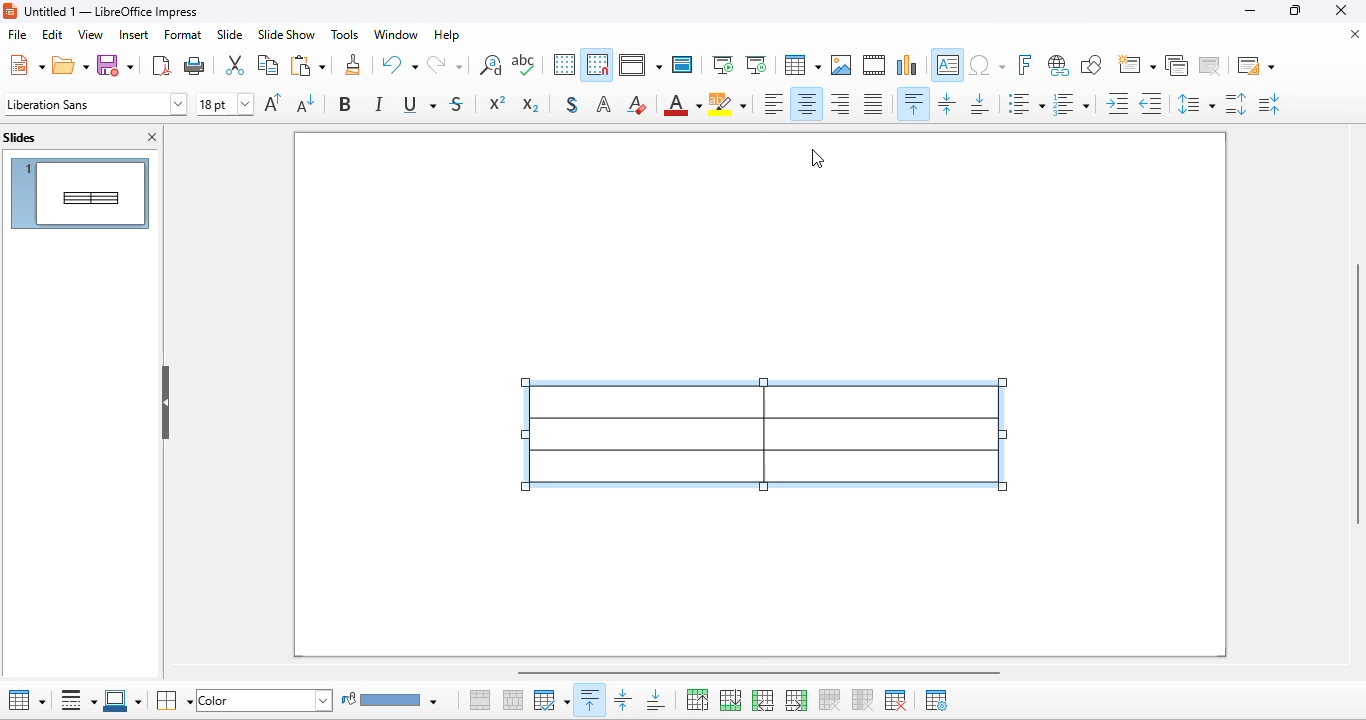  I want to click on align bottom, so click(657, 700).